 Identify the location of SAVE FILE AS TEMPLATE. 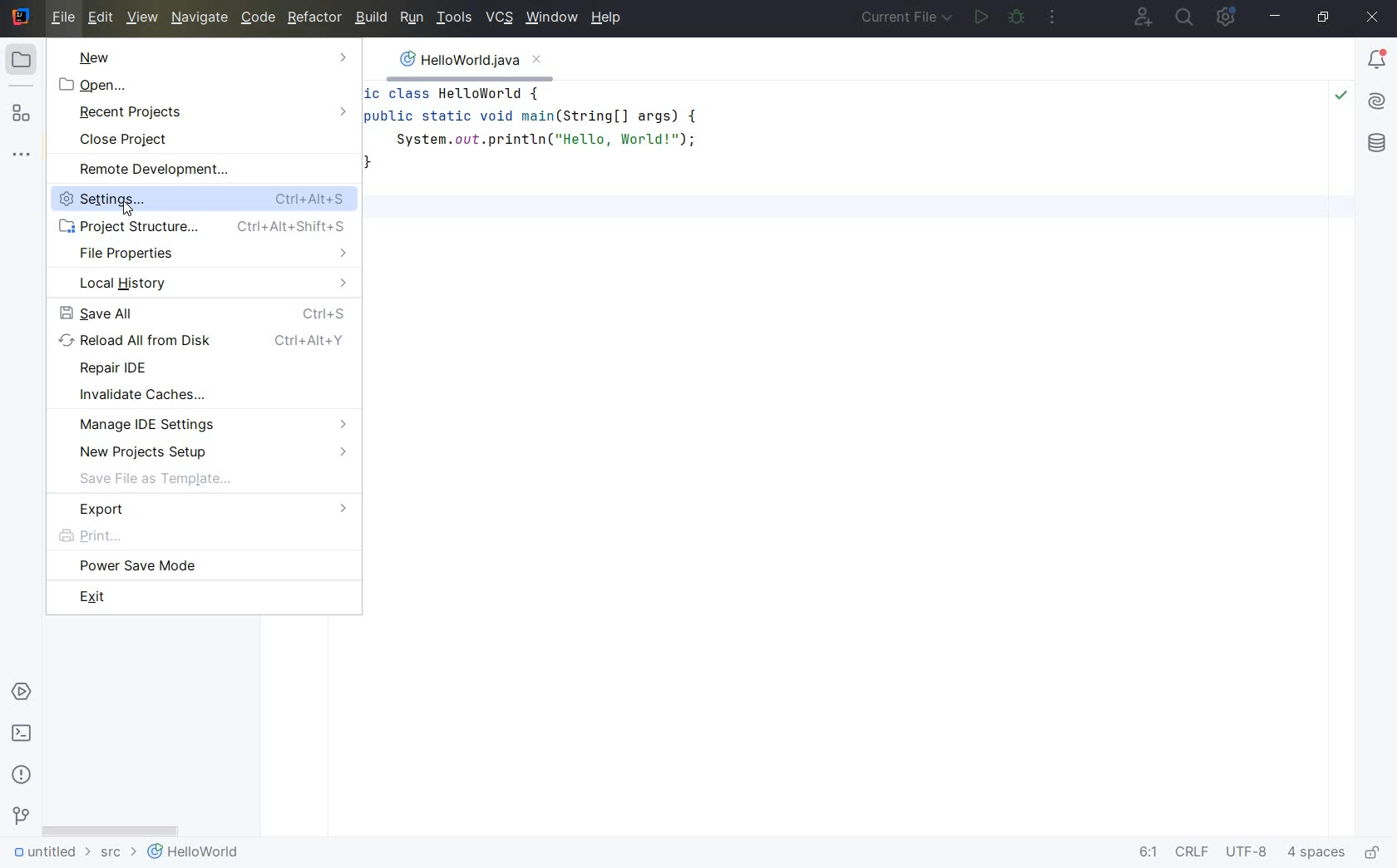
(207, 481).